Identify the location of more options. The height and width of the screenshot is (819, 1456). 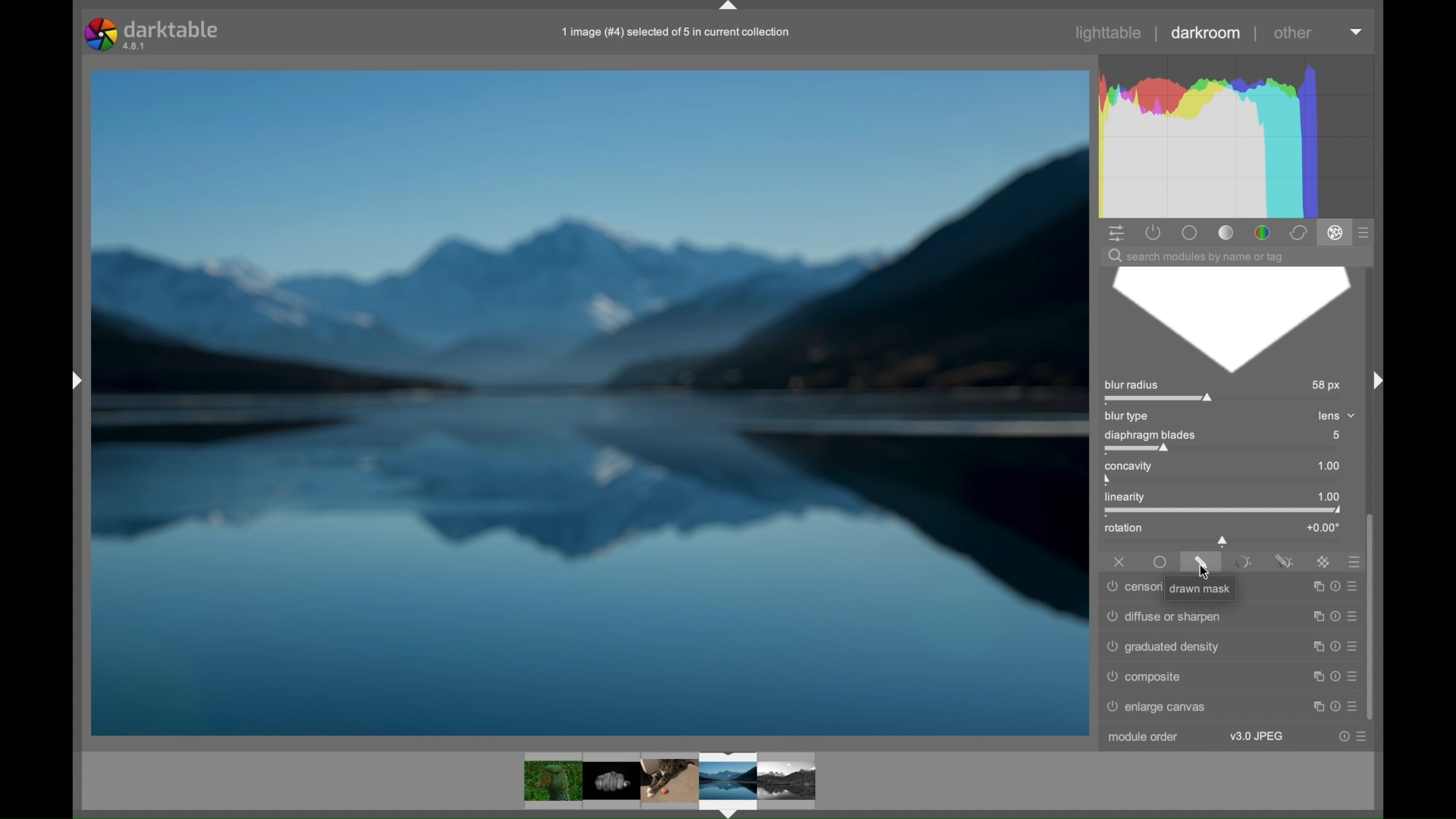
(1354, 675).